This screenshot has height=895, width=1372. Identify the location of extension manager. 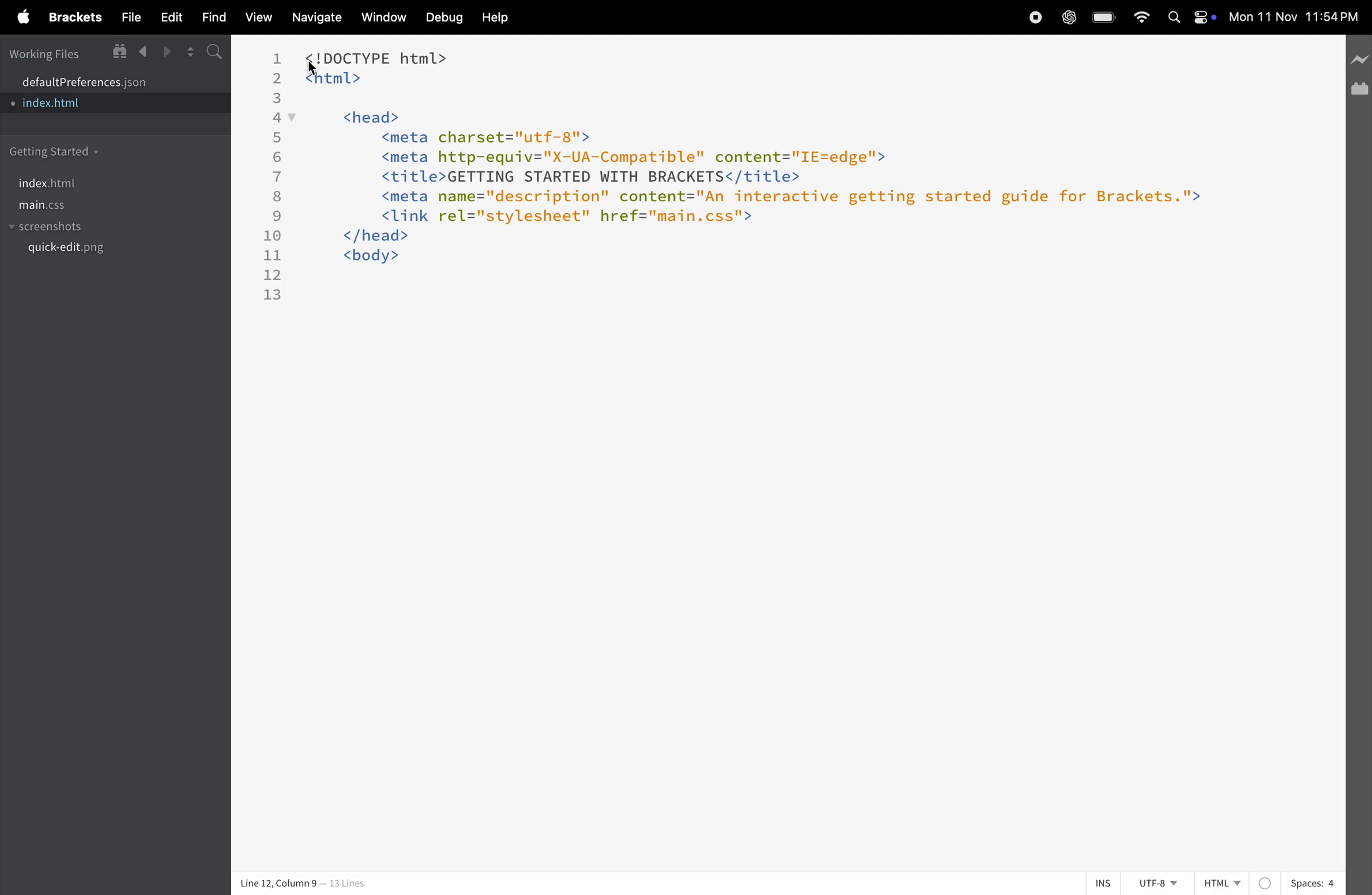
(1360, 88).